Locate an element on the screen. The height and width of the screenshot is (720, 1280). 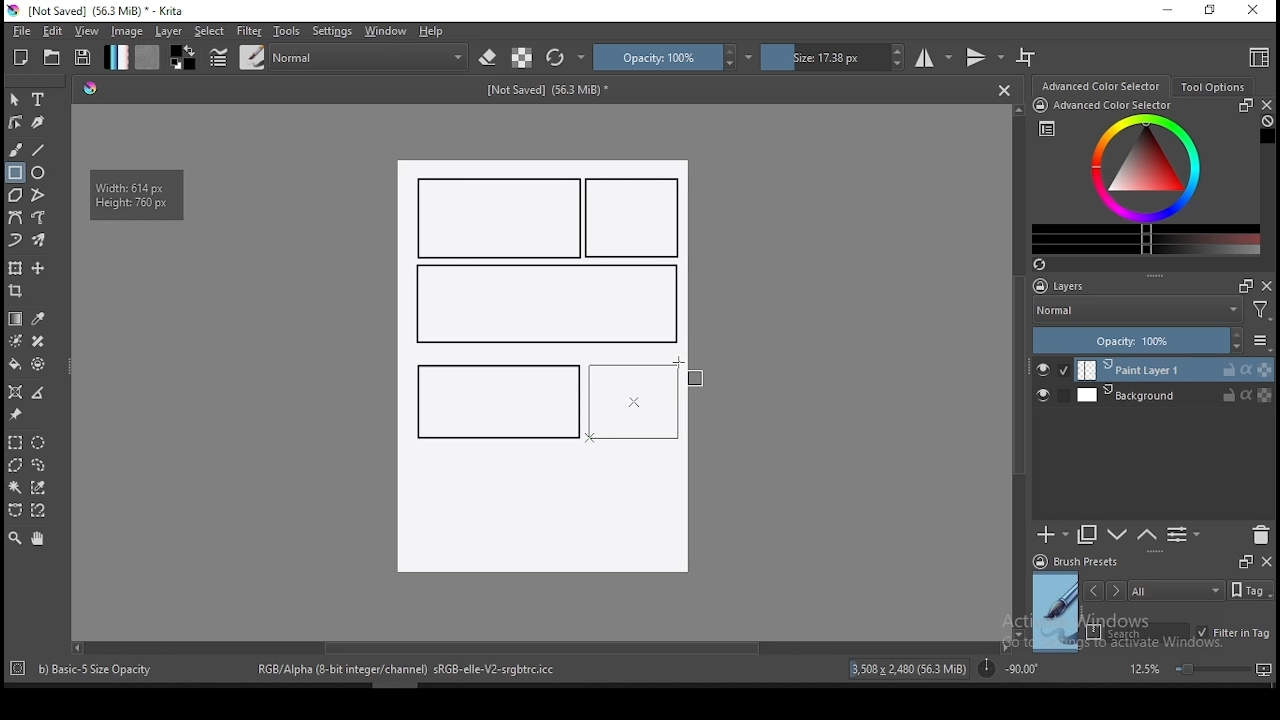
image is located at coordinates (126, 31).